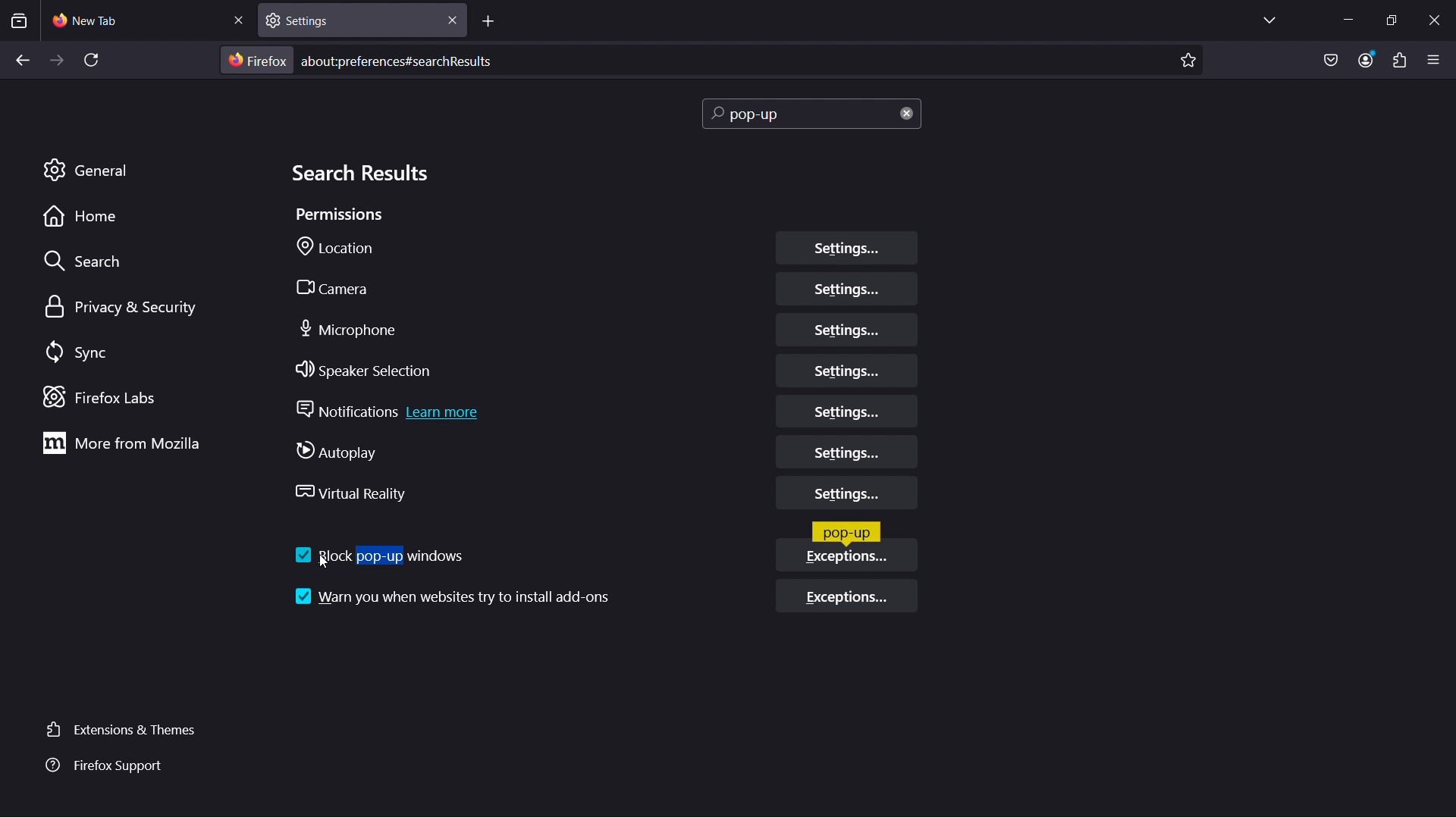 This screenshot has width=1456, height=817. Describe the element at coordinates (345, 452) in the screenshot. I see `Autoplay` at that location.